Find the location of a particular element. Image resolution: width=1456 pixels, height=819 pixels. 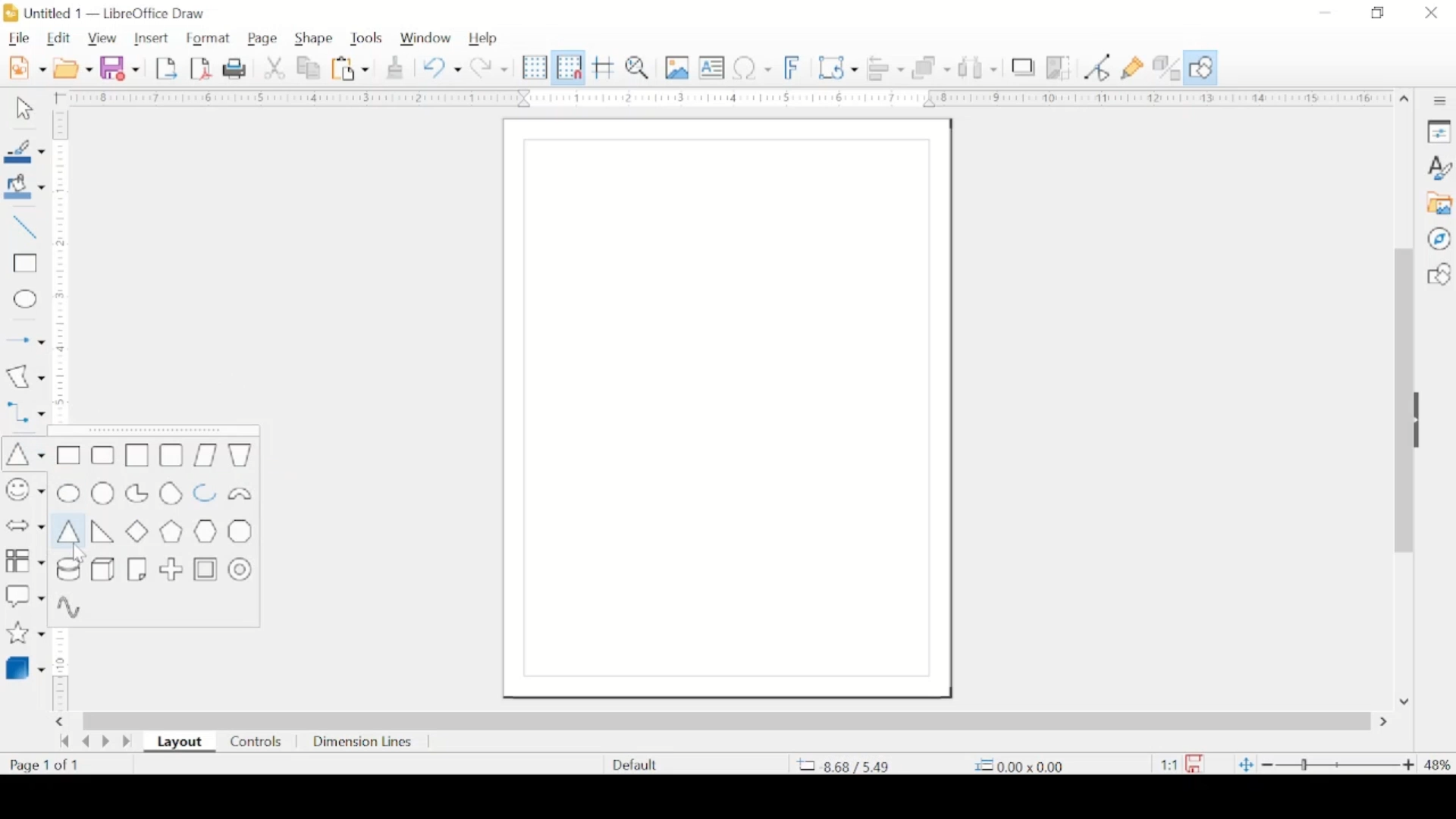

sidebar settings is located at coordinates (1442, 102).